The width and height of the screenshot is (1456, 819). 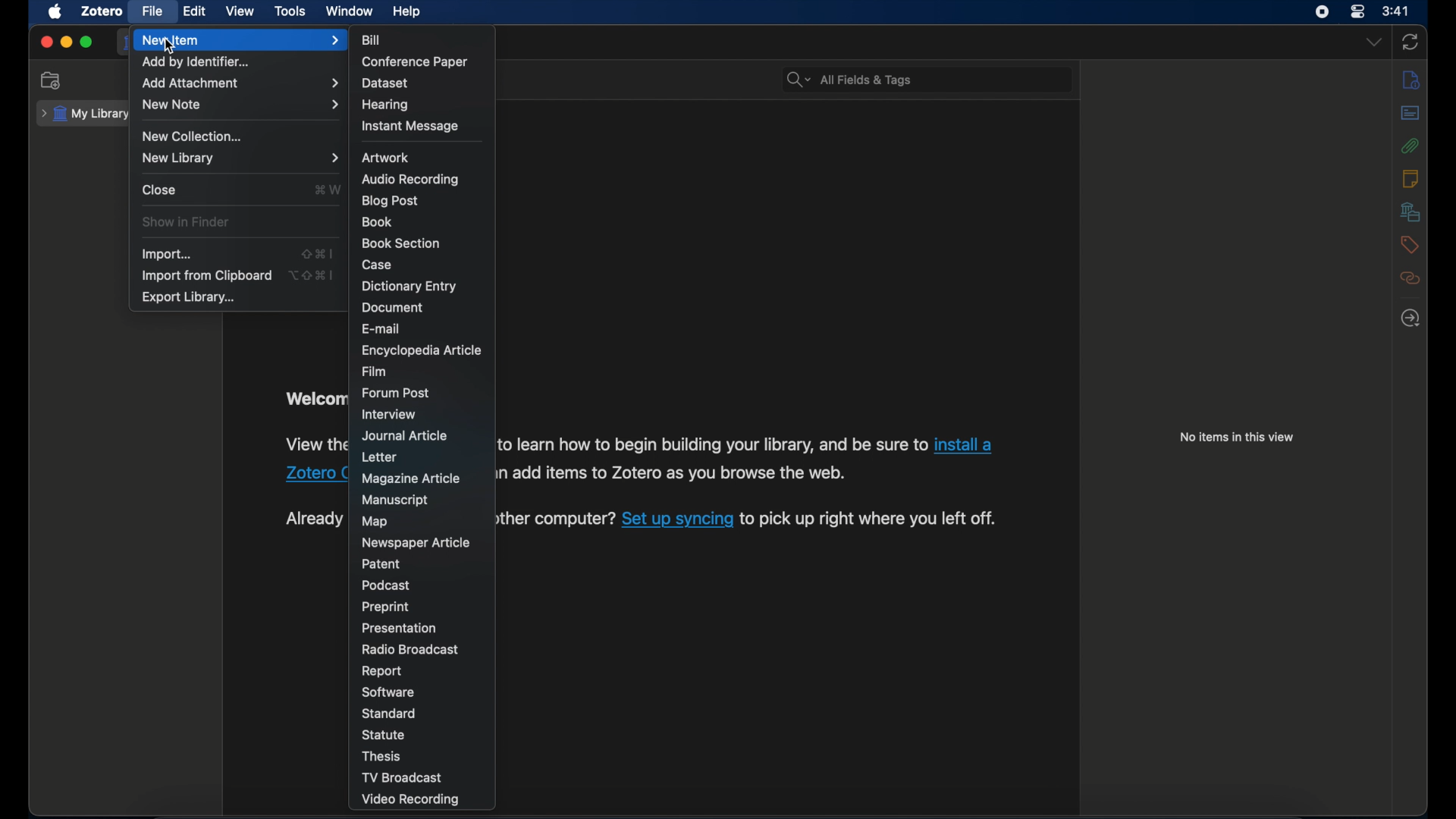 I want to click on show in finder, so click(x=187, y=222).